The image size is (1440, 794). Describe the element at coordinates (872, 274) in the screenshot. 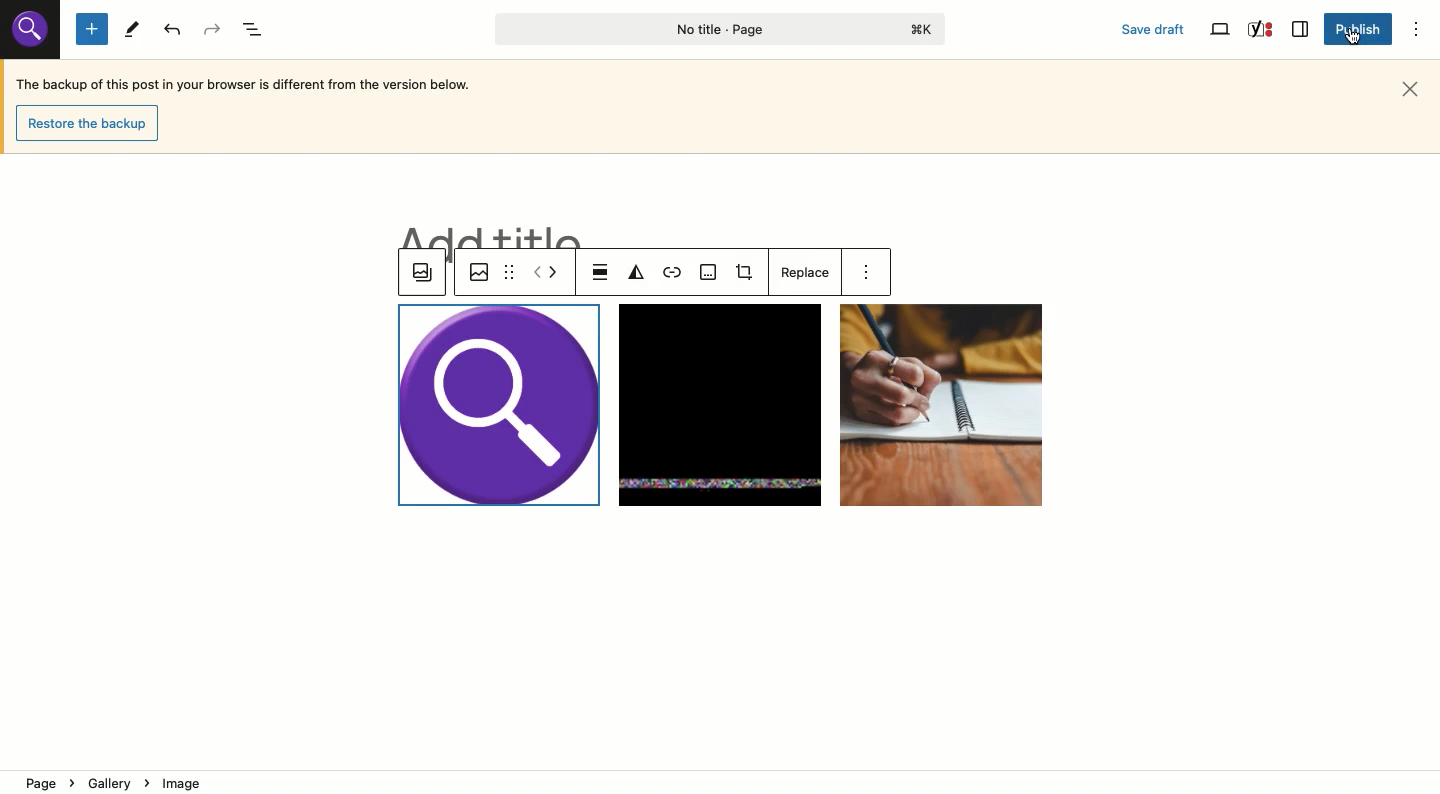

I see `options` at that location.